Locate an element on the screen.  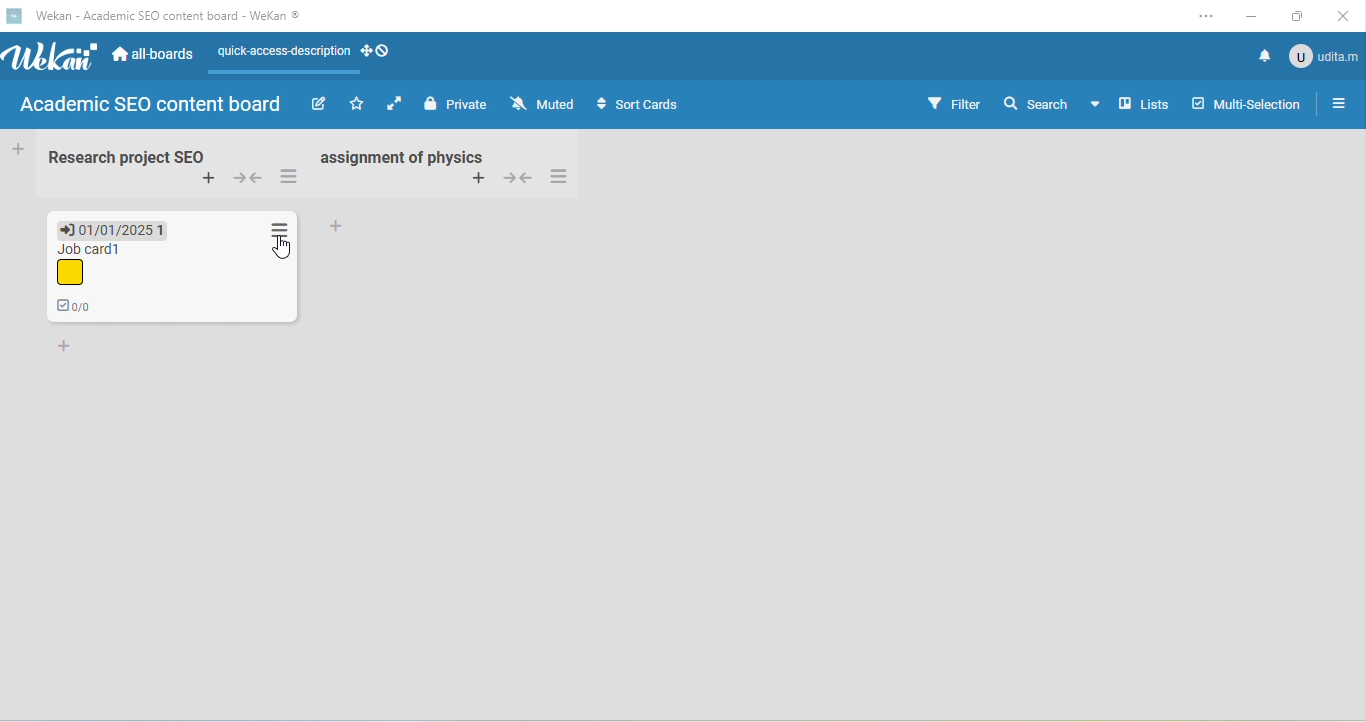
collapse is located at coordinates (249, 179).